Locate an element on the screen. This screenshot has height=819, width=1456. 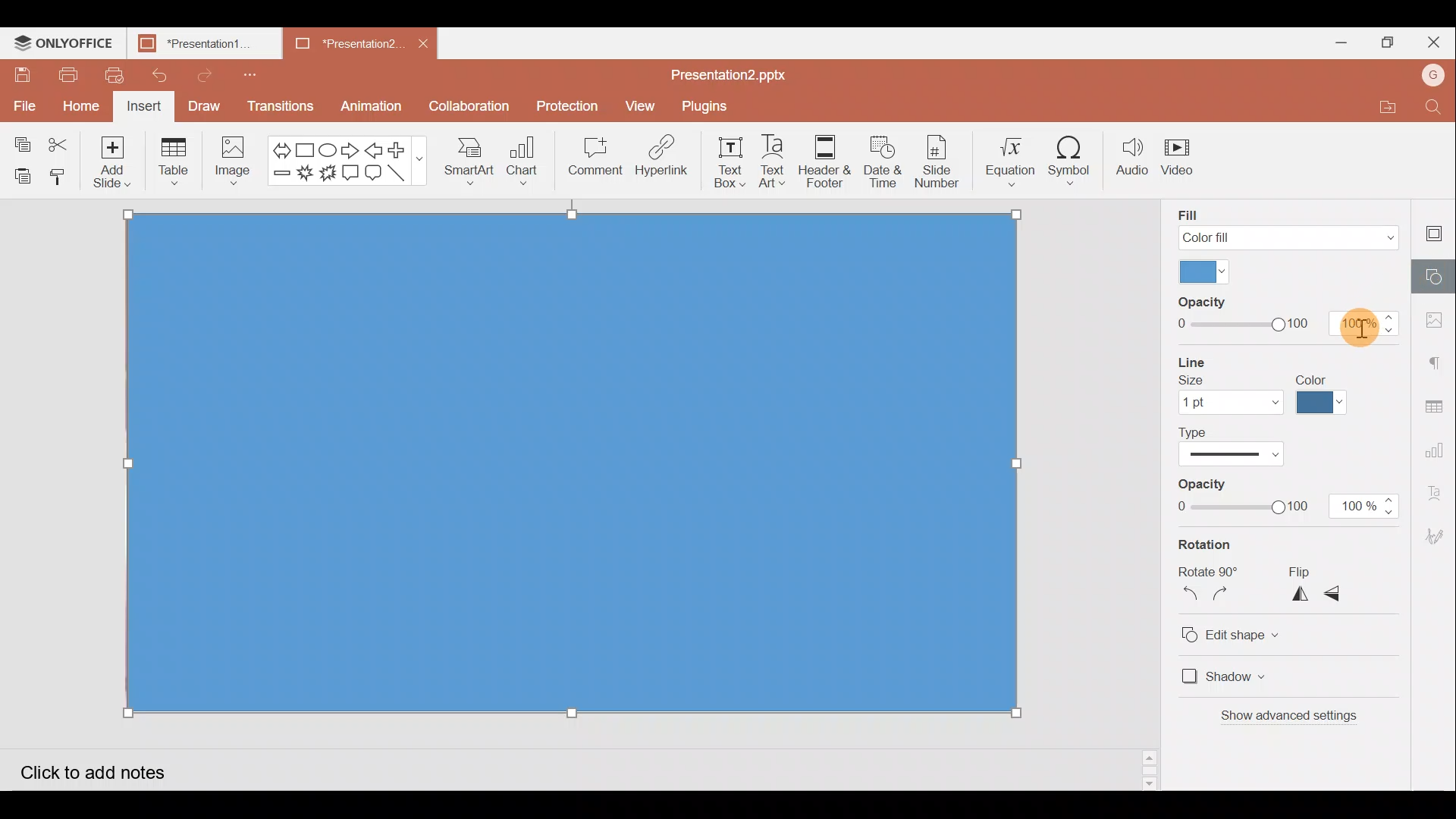
Close is located at coordinates (1434, 41).